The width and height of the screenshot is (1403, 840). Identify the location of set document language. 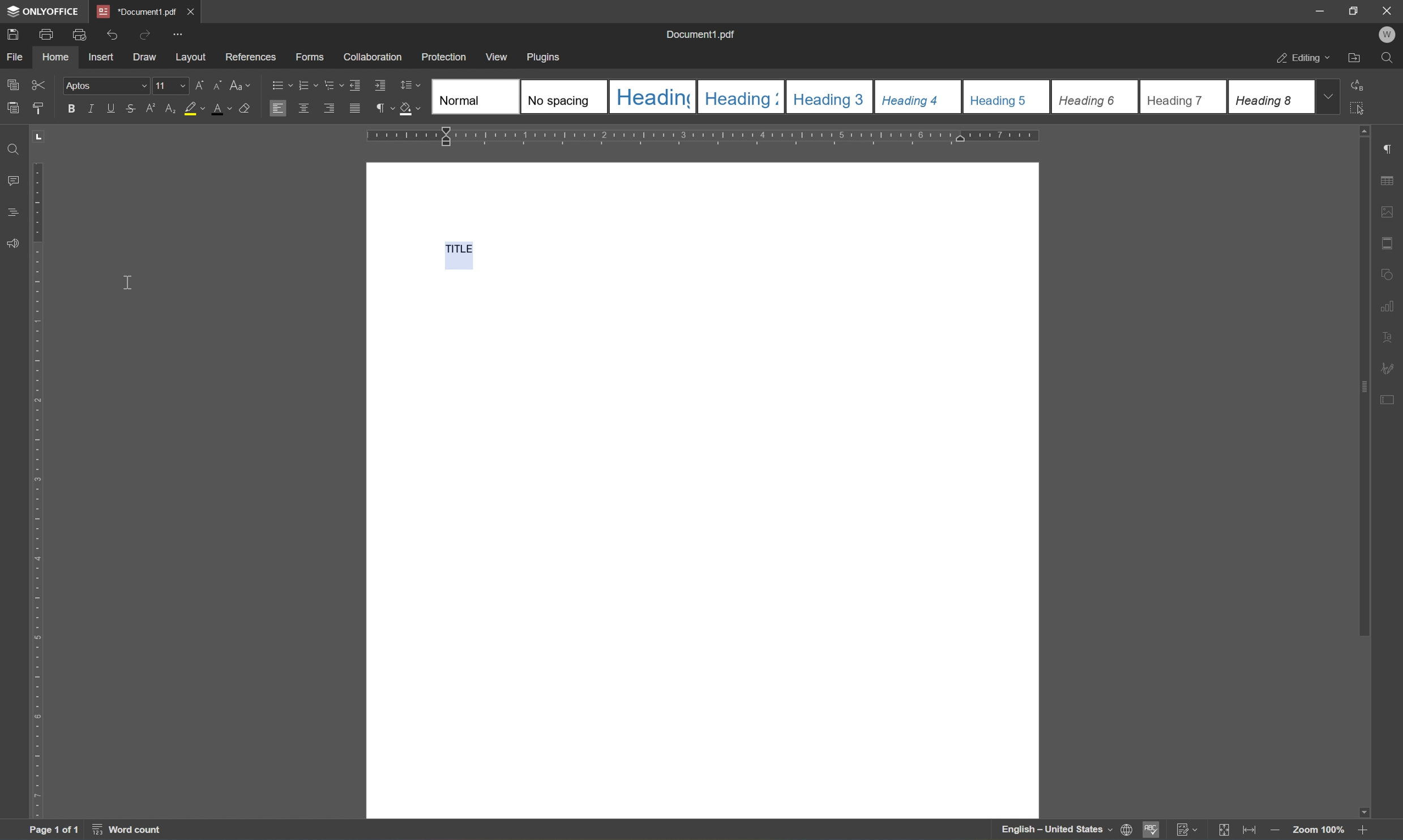
(1066, 831).